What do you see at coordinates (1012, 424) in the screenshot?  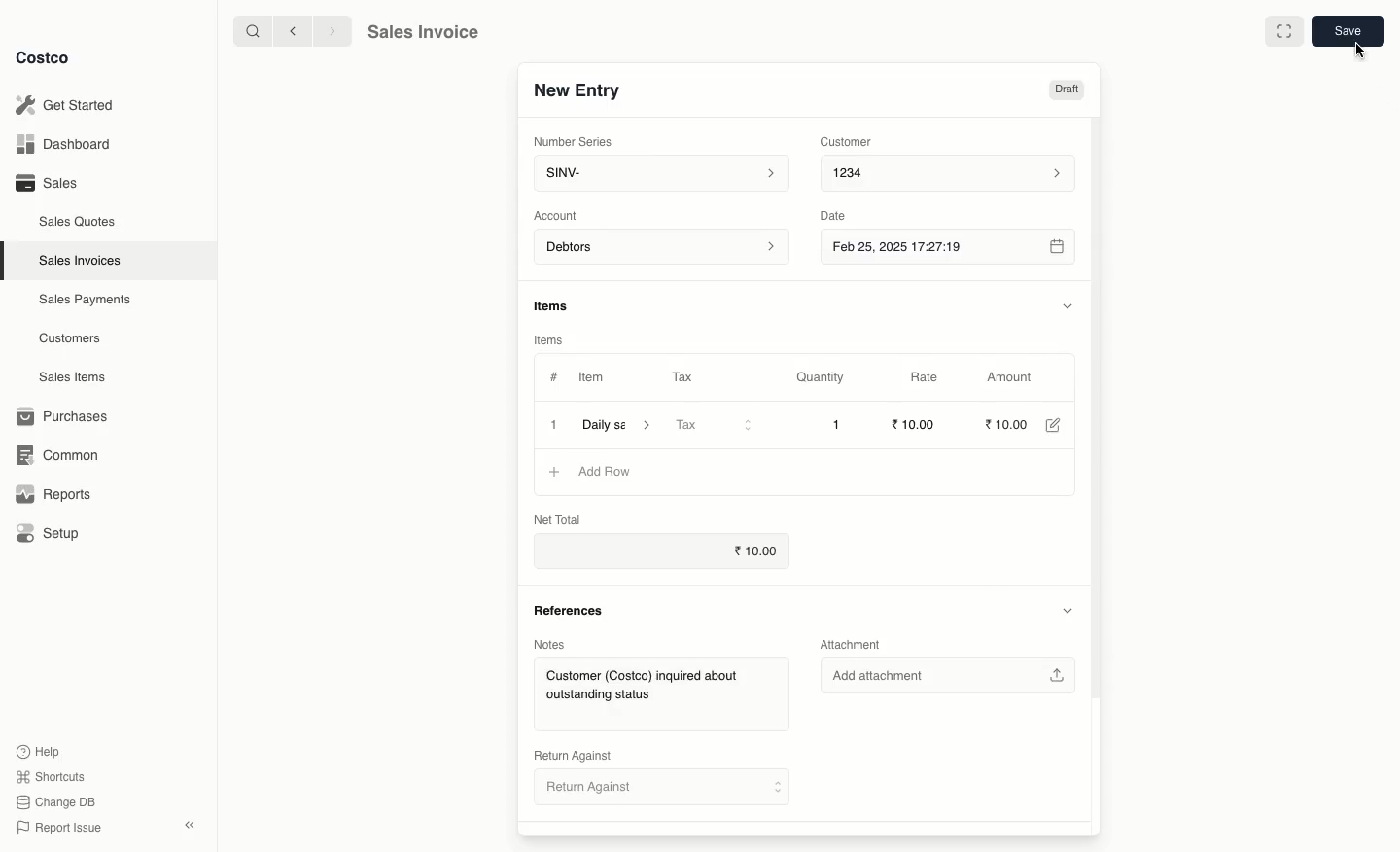 I see `10.00` at bounding box center [1012, 424].